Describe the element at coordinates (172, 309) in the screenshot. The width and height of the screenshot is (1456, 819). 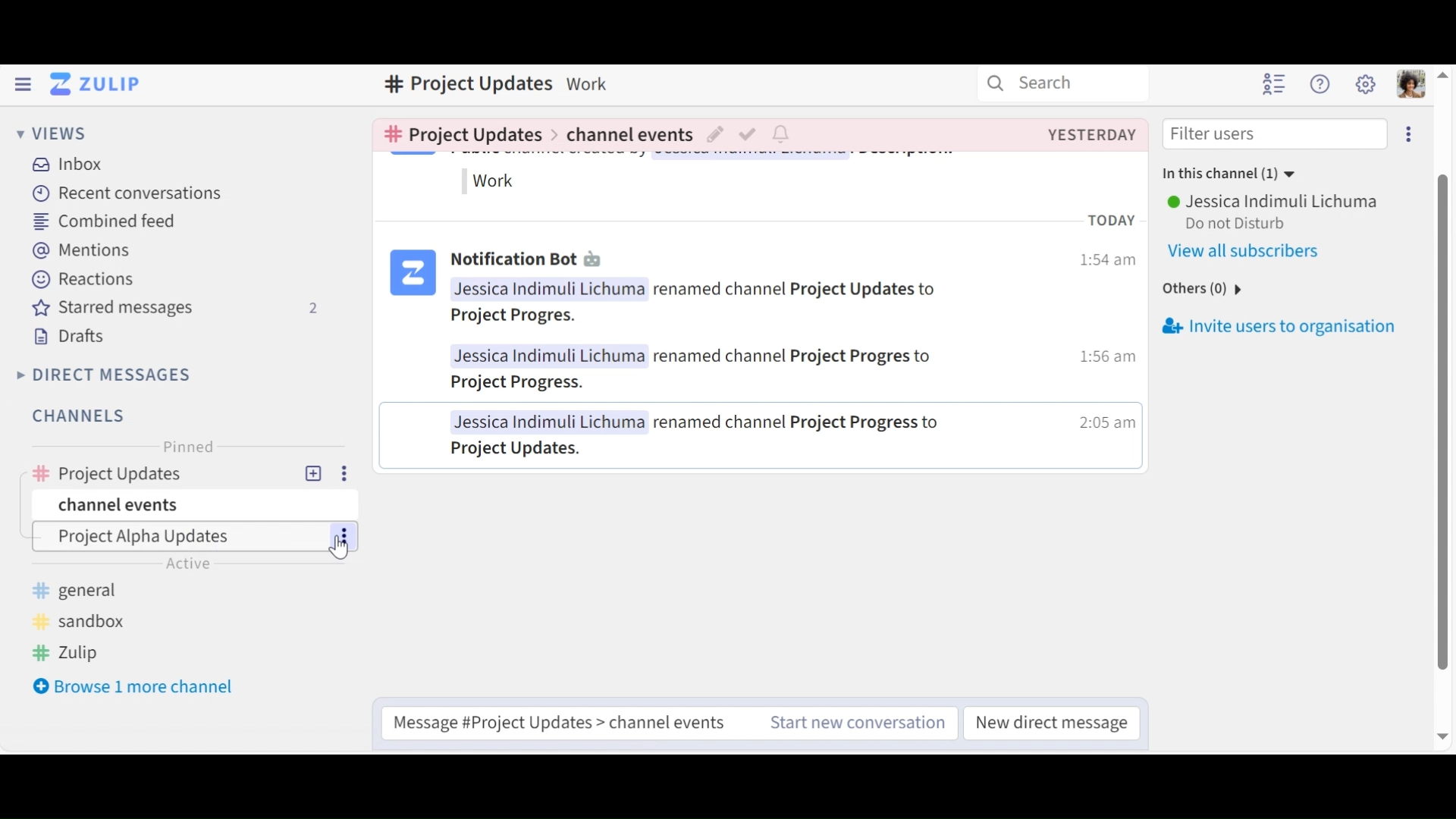
I see `Starred messages` at that location.